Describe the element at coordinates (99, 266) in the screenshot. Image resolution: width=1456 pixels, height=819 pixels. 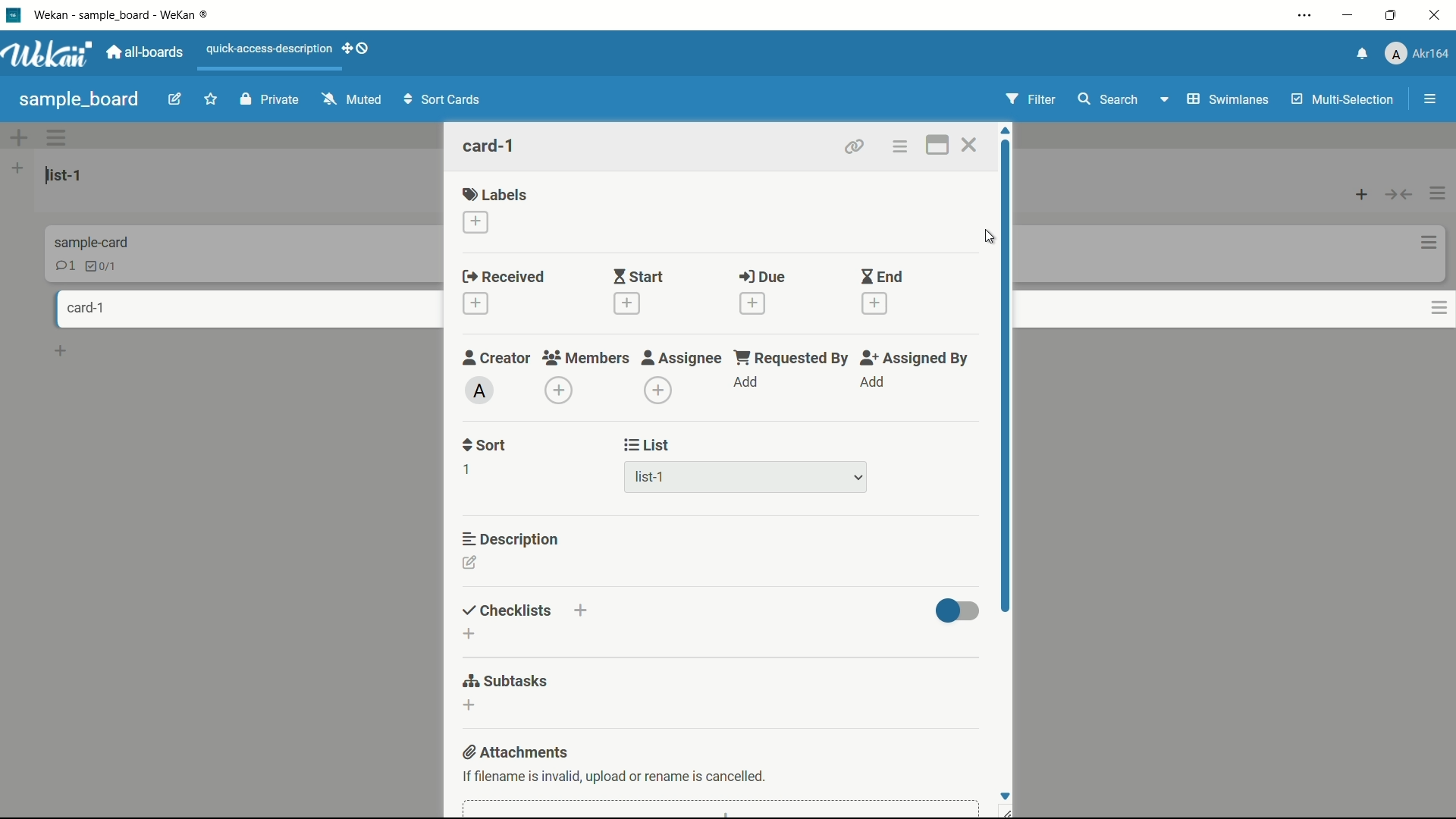
I see `checklist` at that location.